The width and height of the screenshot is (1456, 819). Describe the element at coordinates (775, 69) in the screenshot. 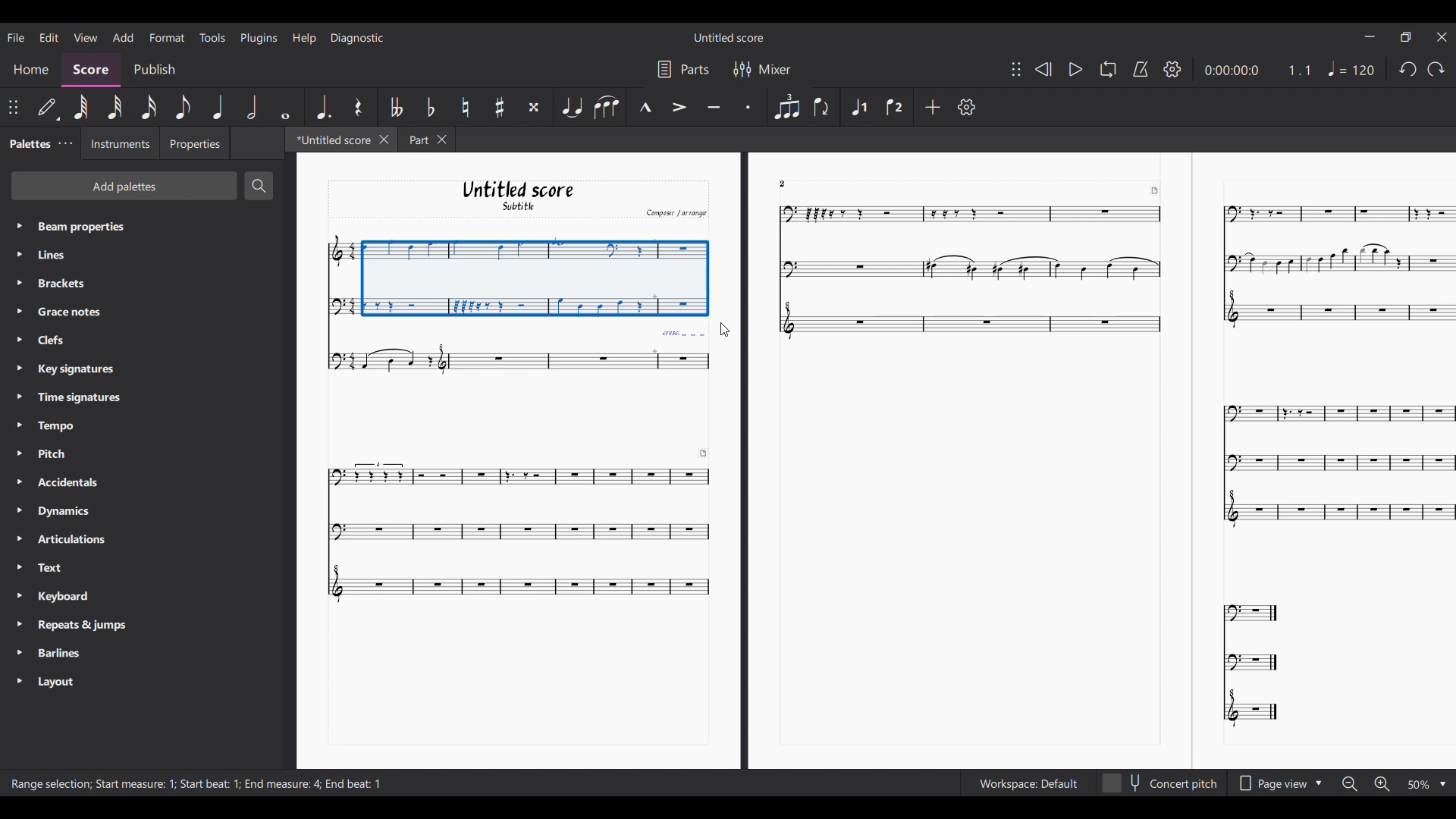

I see `Mixer settings` at that location.